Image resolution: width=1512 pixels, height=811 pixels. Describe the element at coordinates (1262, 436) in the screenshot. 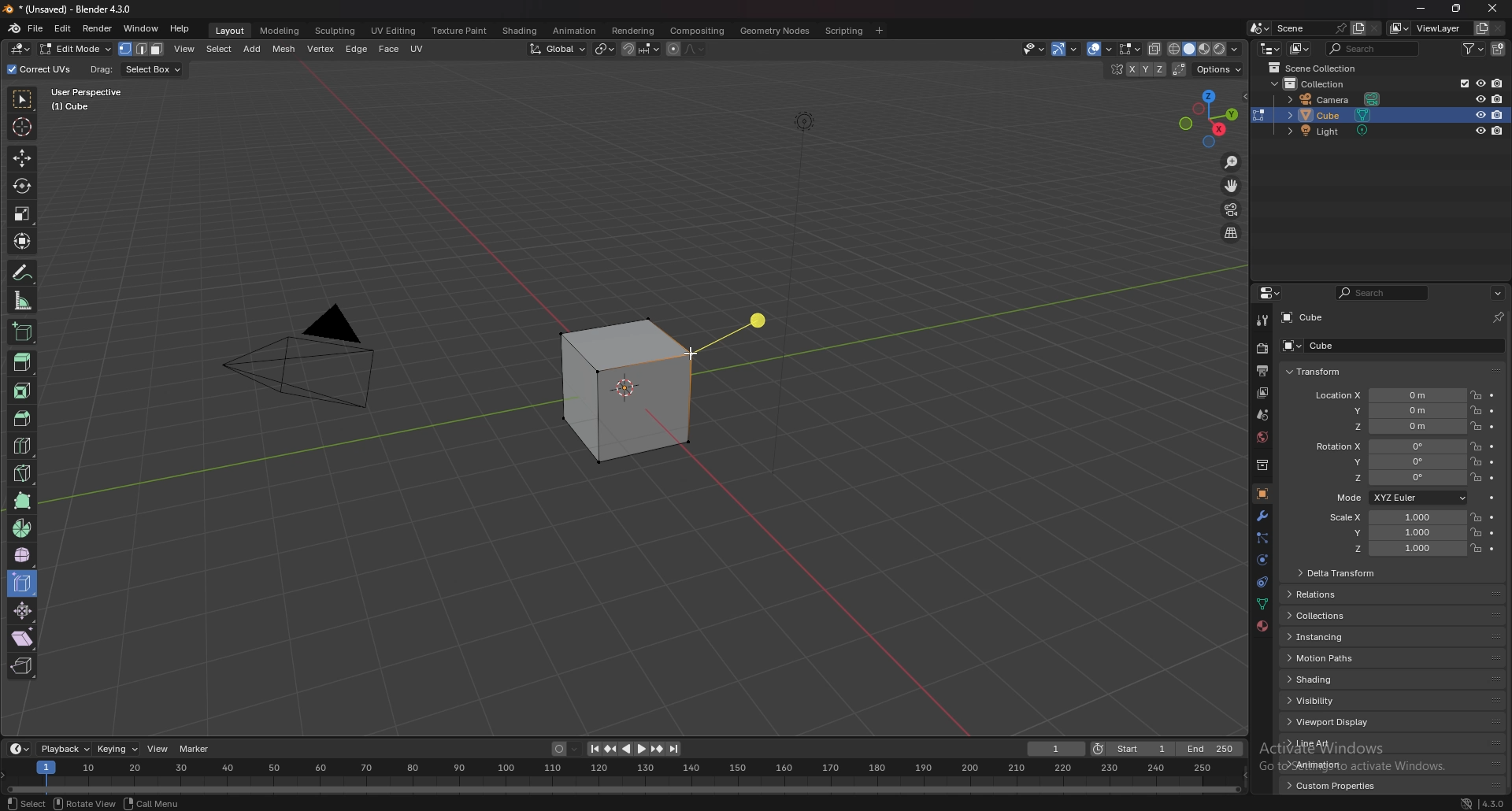

I see `world` at that location.